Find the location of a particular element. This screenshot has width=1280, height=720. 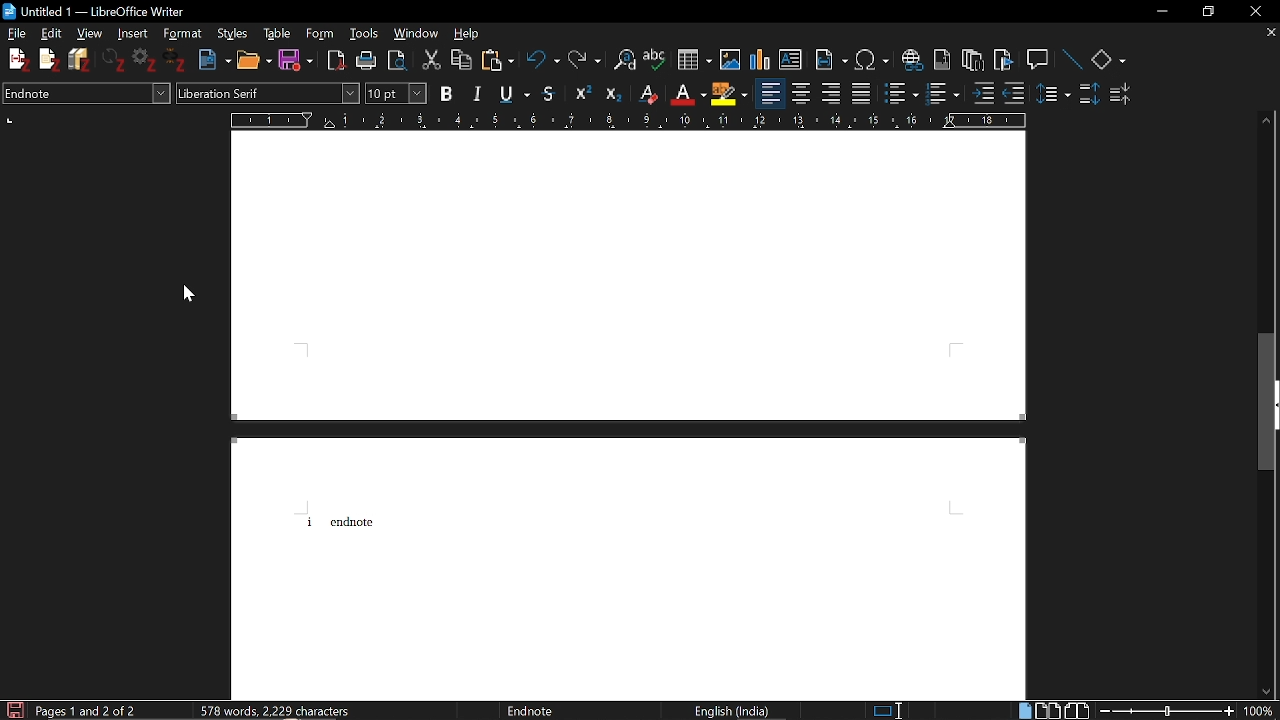

Tools is located at coordinates (365, 32).